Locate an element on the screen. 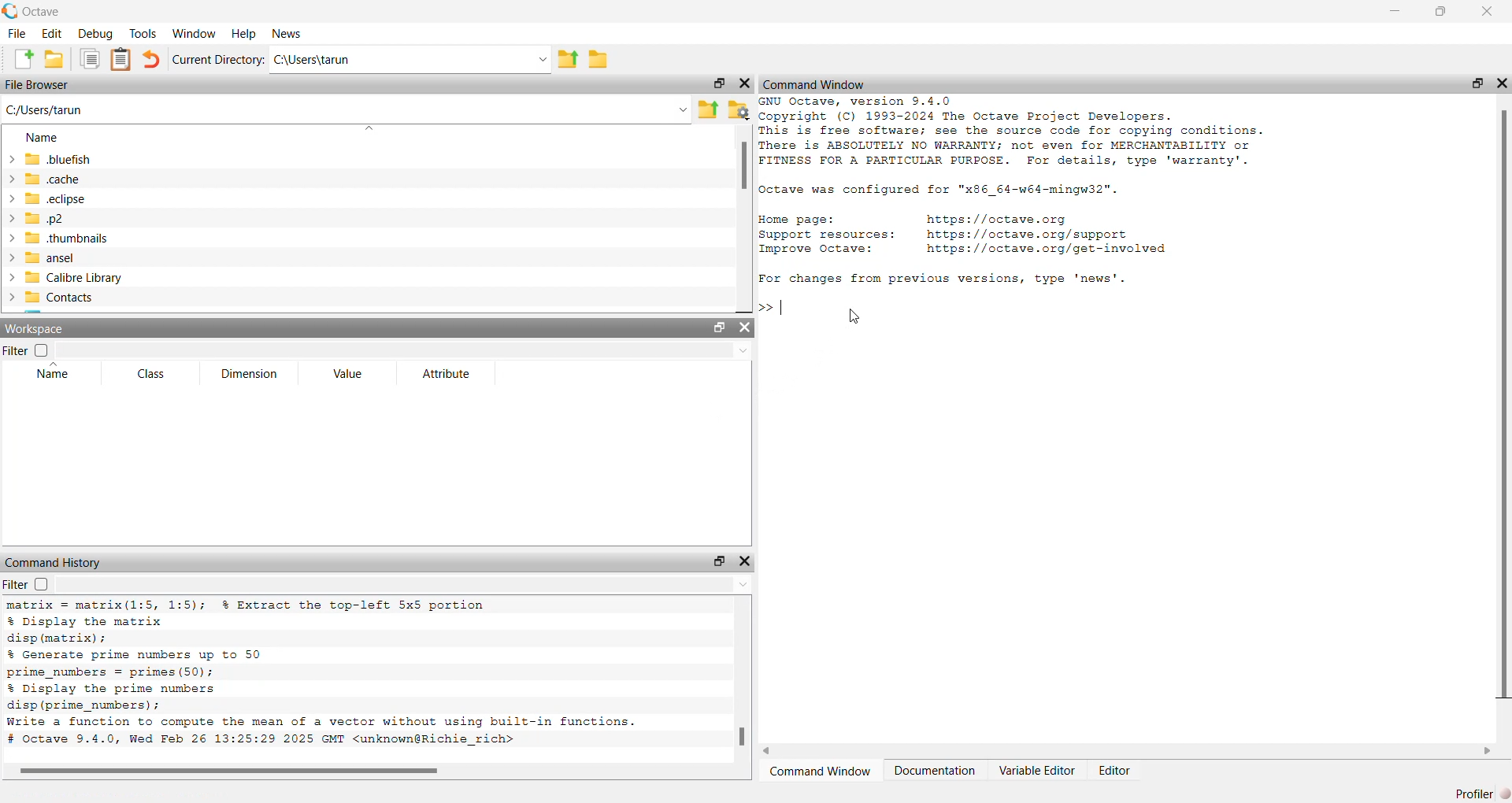 The height and width of the screenshot is (803, 1512). add folder is located at coordinates (54, 60).